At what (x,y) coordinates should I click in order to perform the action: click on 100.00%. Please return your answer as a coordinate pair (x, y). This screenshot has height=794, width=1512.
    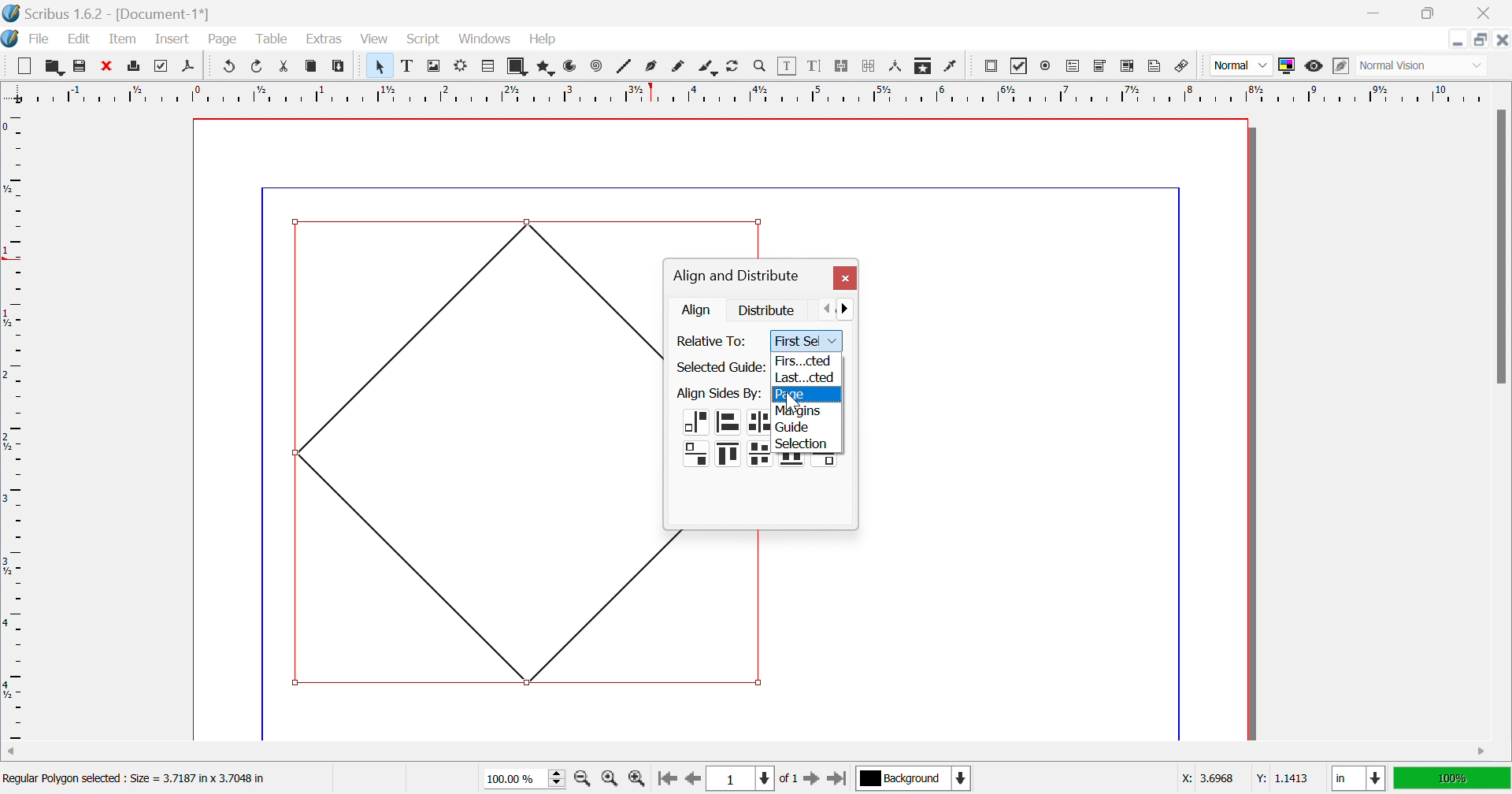
    Looking at the image, I should click on (527, 779).